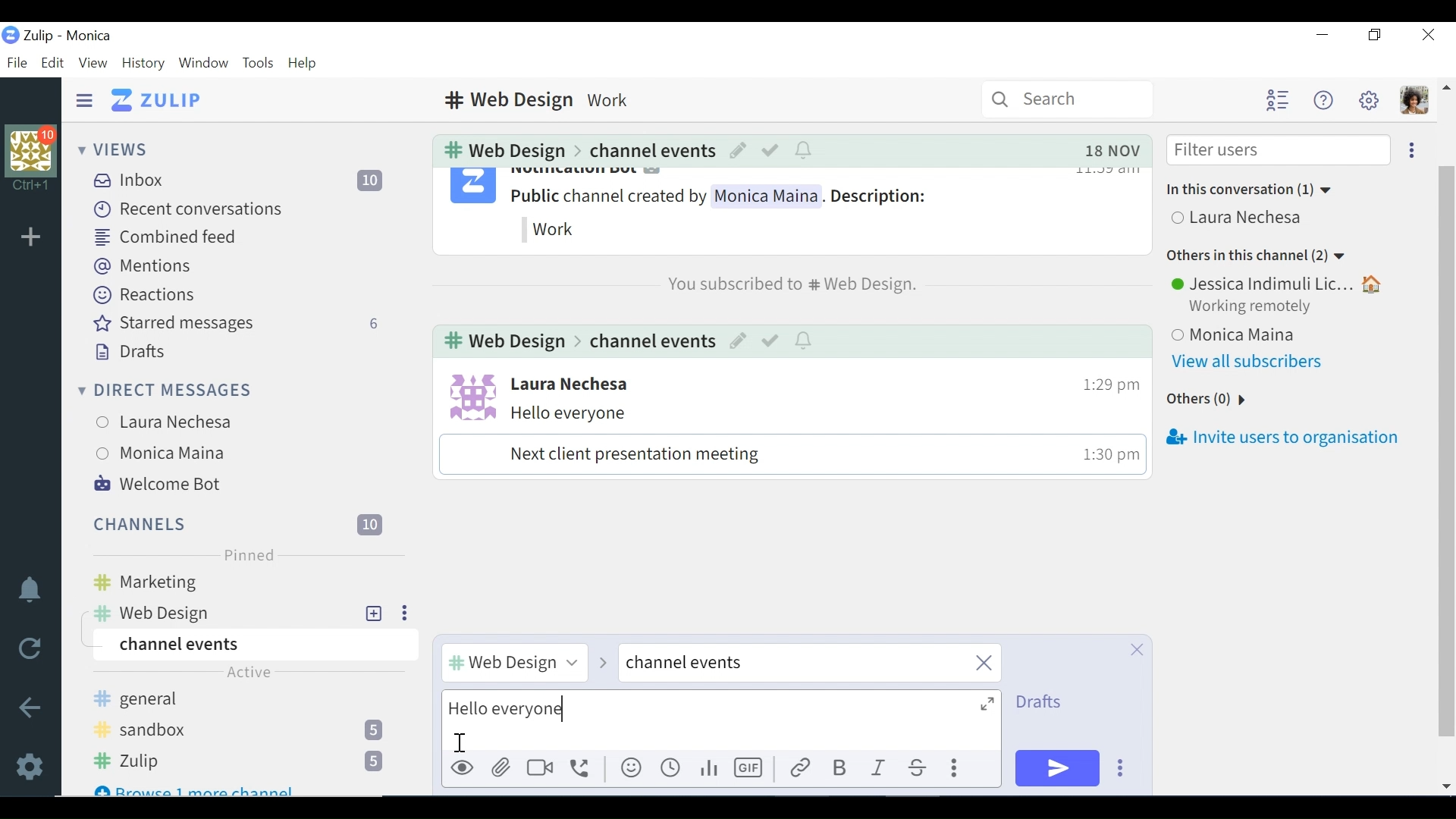 The width and height of the screenshot is (1456, 819). I want to click on notification bot messages, so click(745, 209).